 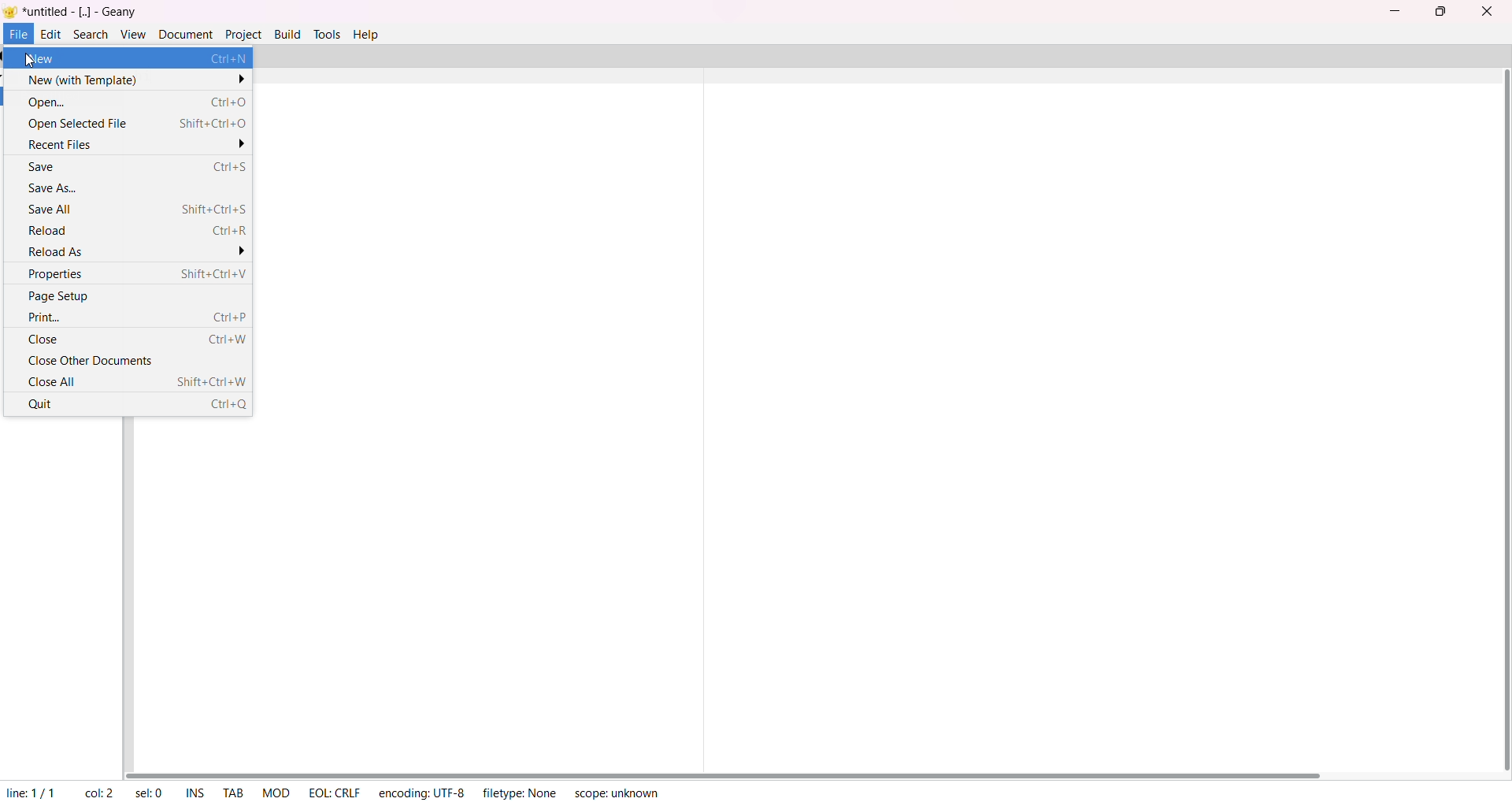 I want to click on tools, so click(x=326, y=34).